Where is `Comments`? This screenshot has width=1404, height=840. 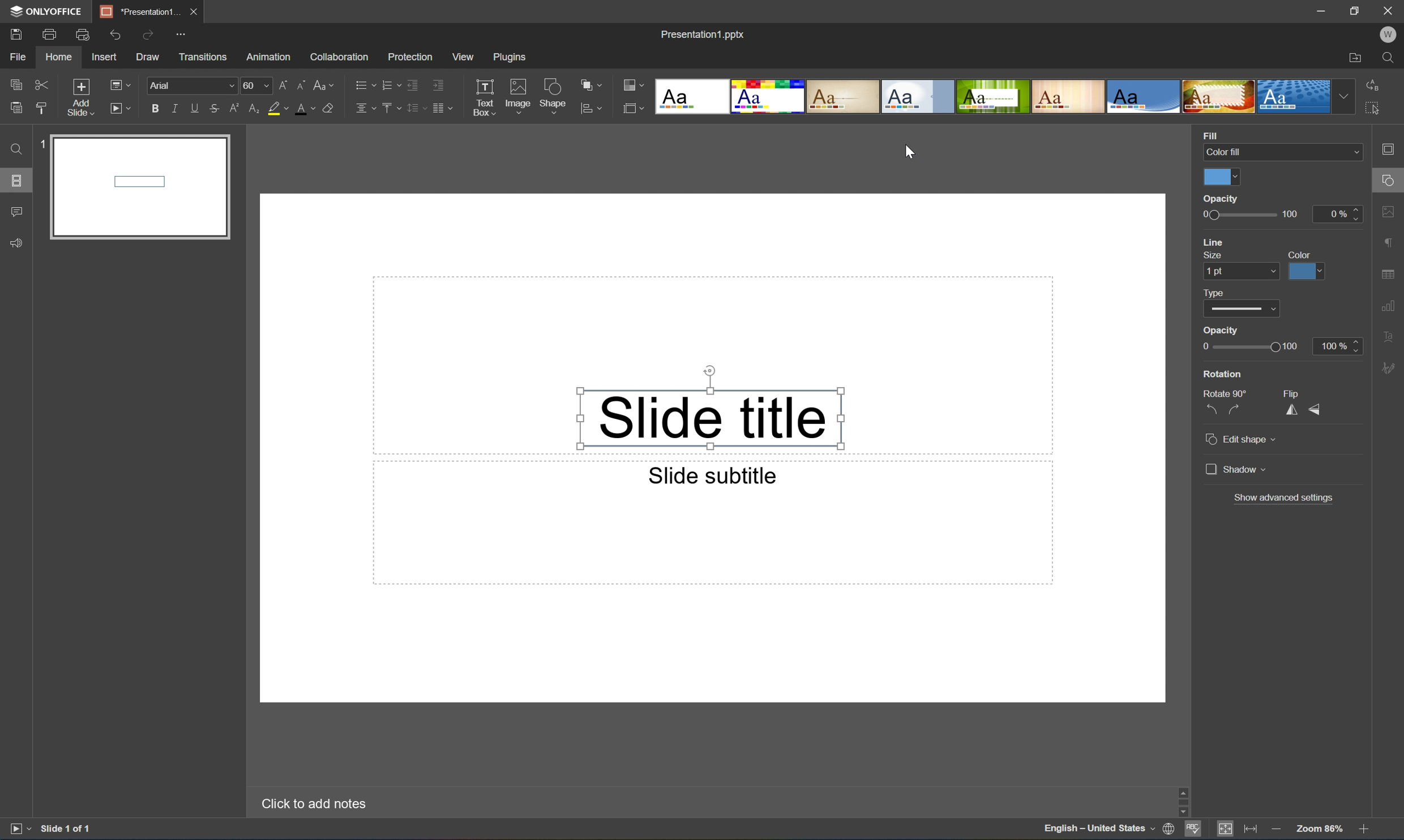 Comments is located at coordinates (17, 212).